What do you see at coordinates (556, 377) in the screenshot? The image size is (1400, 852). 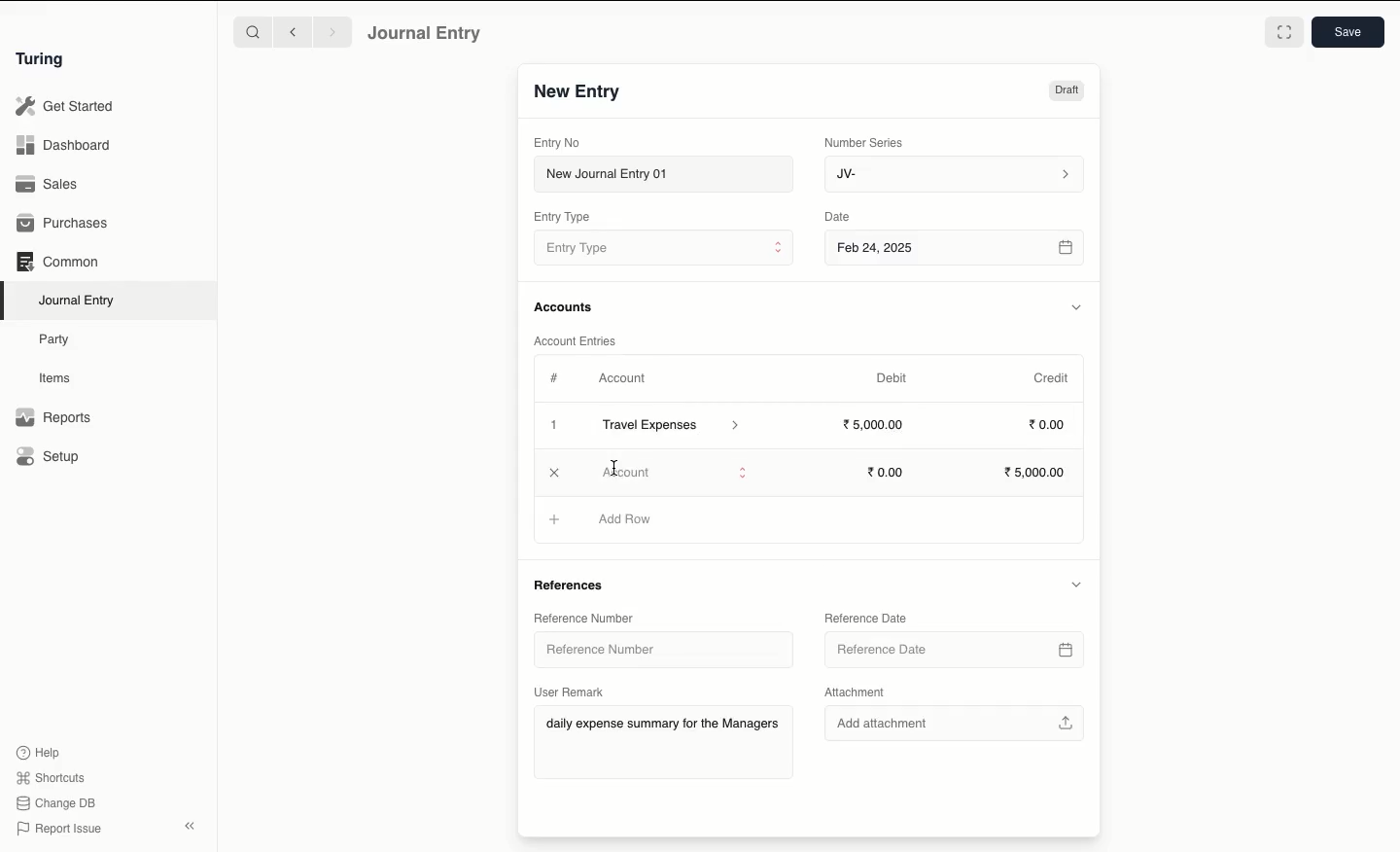 I see `Hashtag` at bounding box center [556, 377].